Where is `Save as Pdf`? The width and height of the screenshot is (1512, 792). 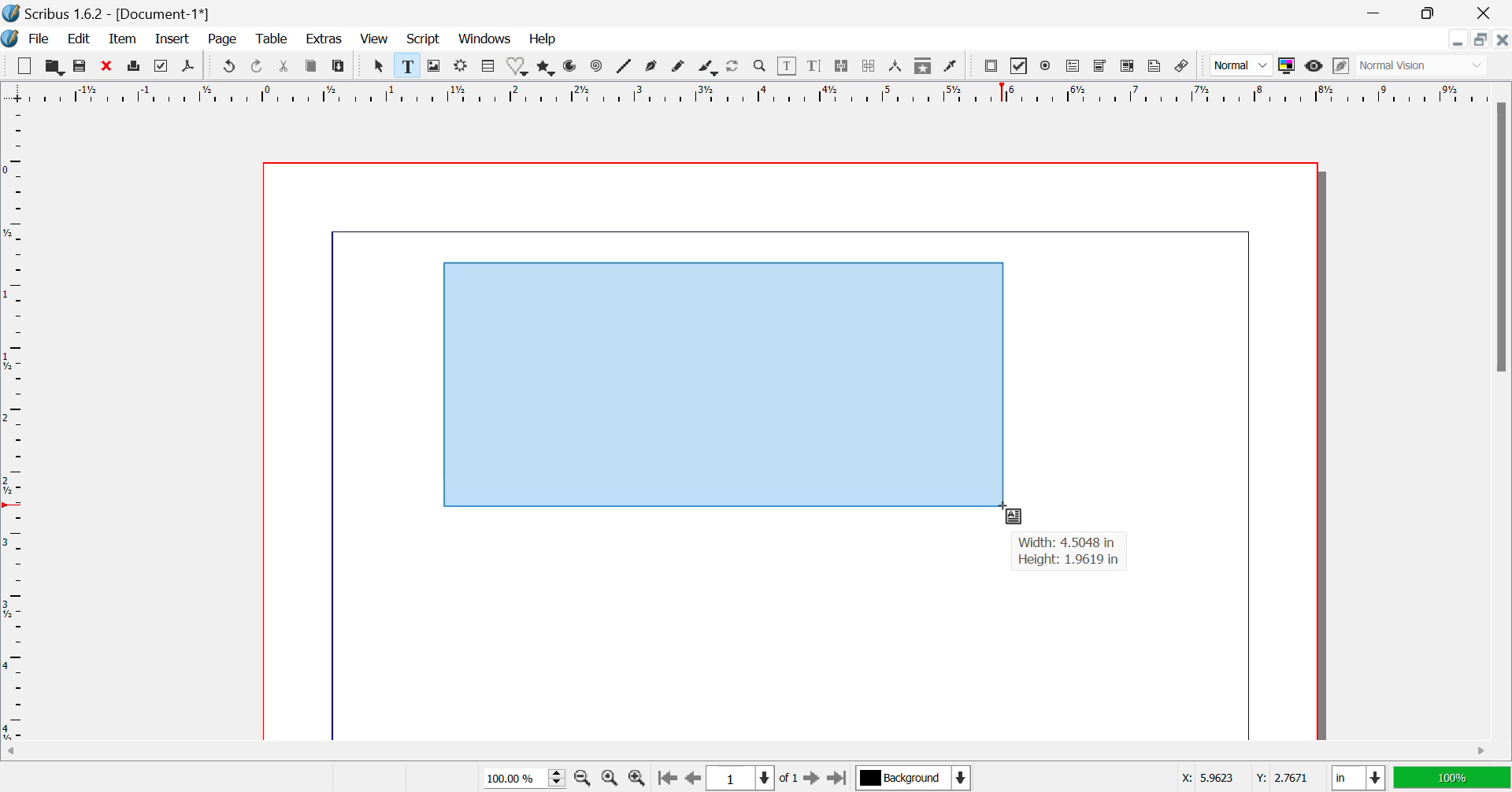 Save as Pdf is located at coordinates (192, 67).